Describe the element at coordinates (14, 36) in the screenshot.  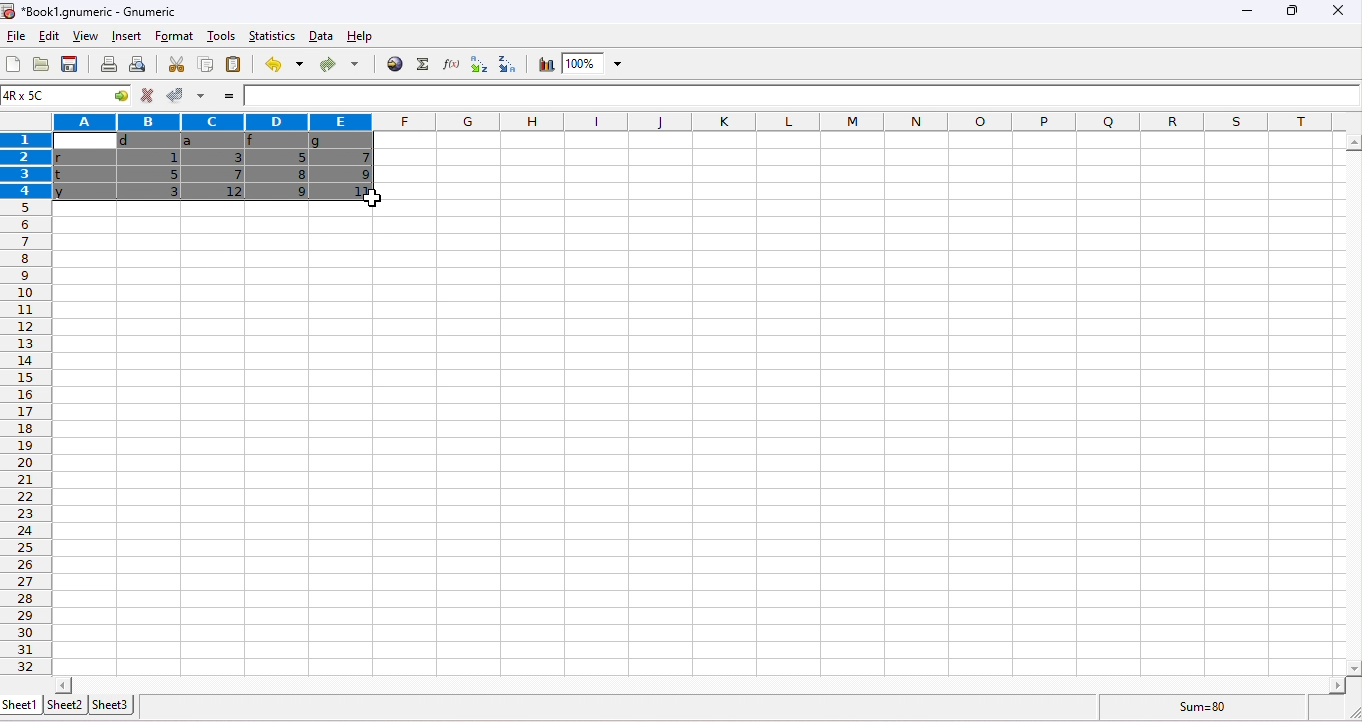
I see `file` at that location.